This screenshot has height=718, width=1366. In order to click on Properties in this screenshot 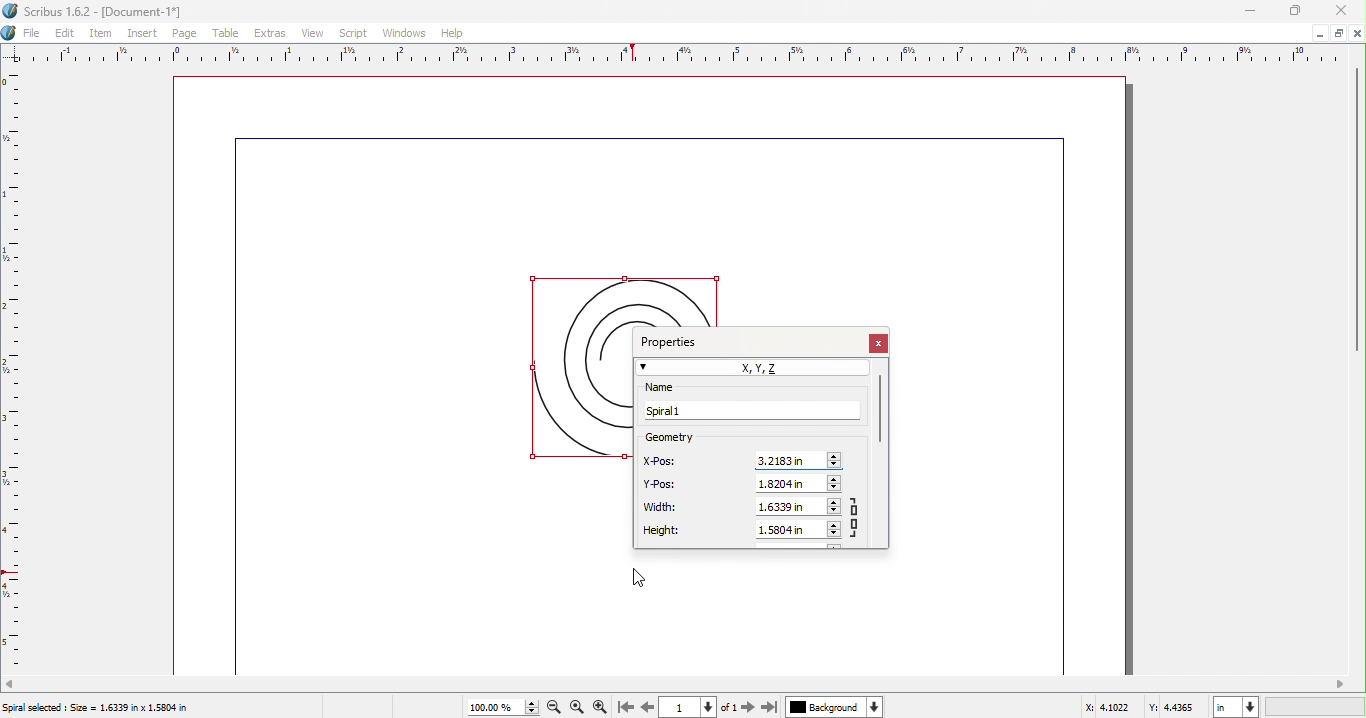, I will do `click(676, 339)`.